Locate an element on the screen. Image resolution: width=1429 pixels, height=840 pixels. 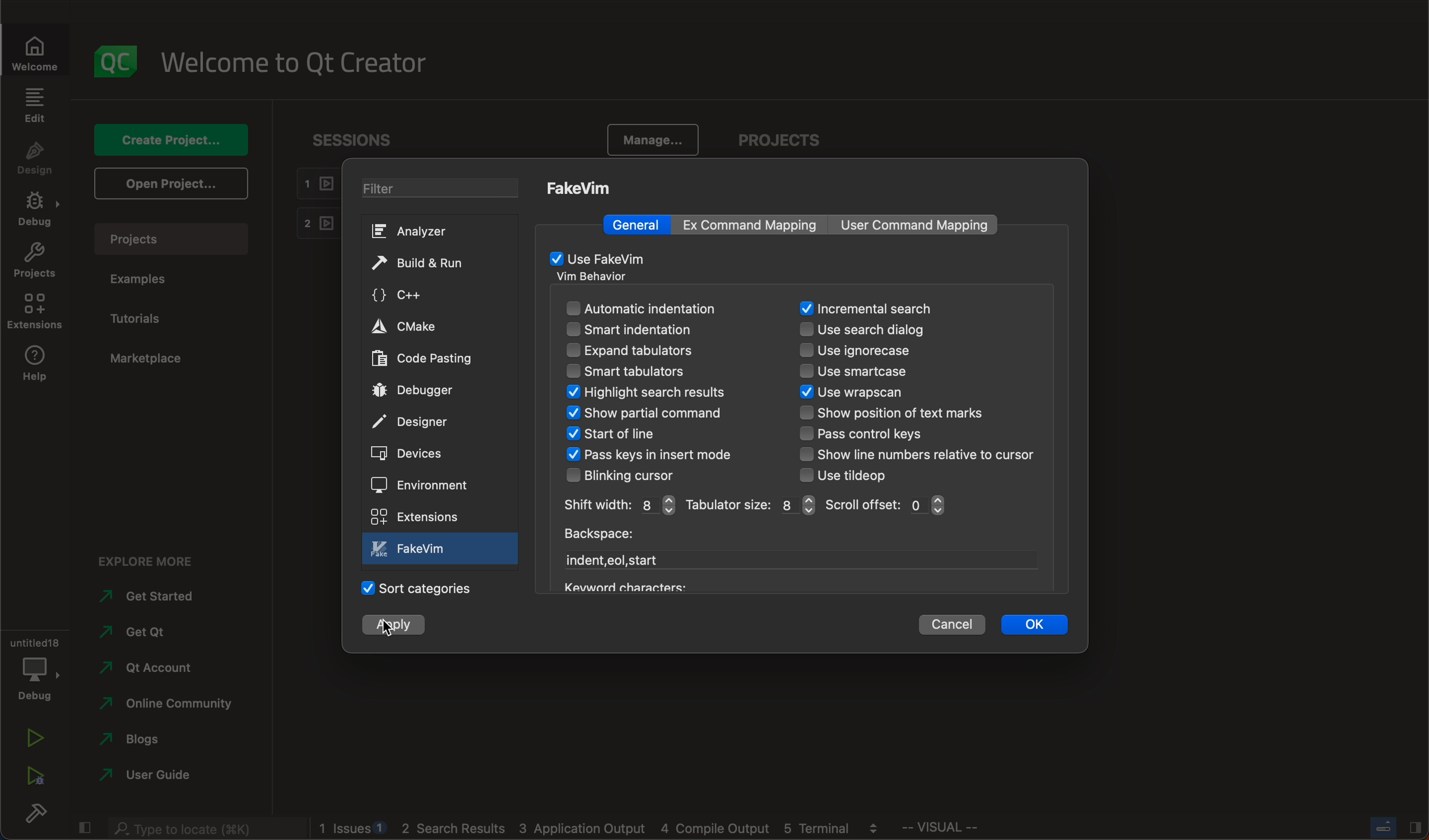
 is located at coordinates (713, 826).